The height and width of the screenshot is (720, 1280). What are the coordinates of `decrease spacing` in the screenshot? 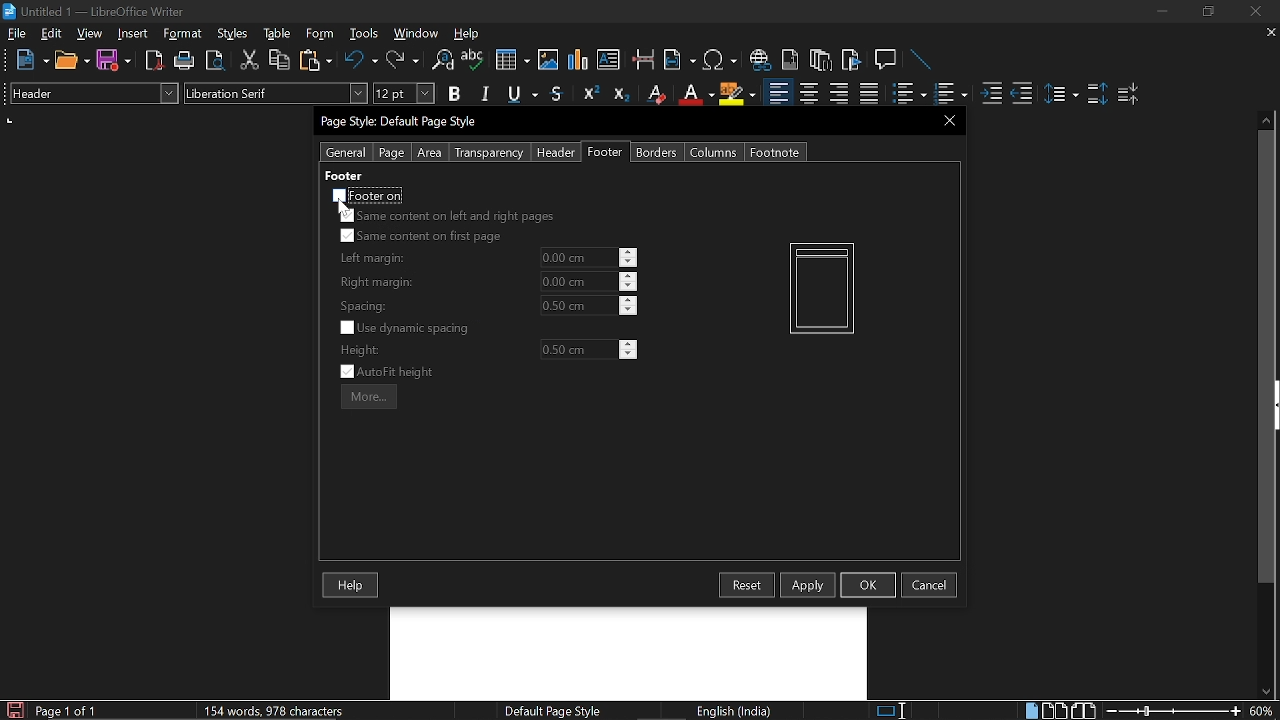 It's located at (628, 311).